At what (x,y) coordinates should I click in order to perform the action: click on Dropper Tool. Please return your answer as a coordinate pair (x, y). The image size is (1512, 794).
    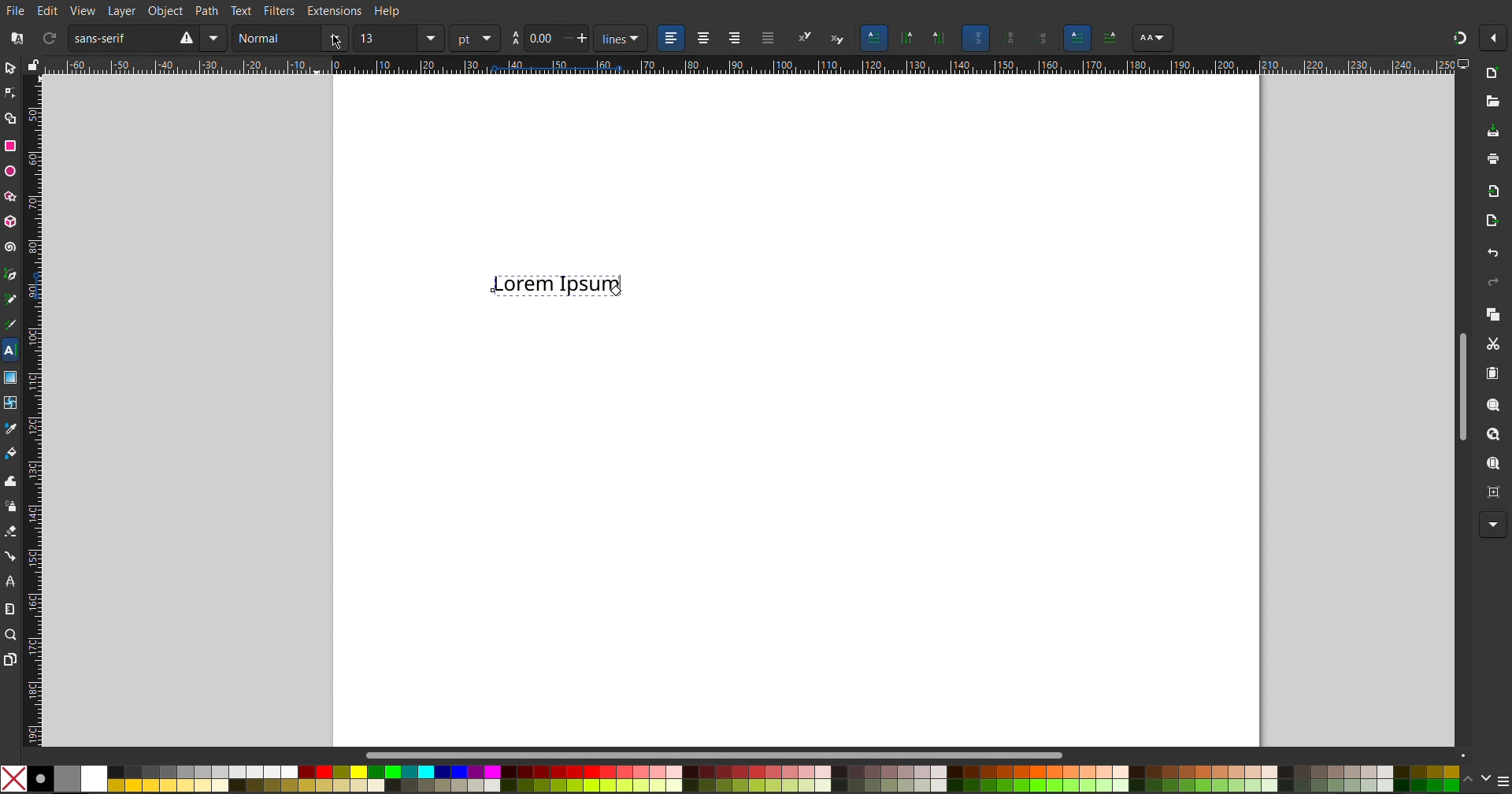
    Looking at the image, I should click on (11, 425).